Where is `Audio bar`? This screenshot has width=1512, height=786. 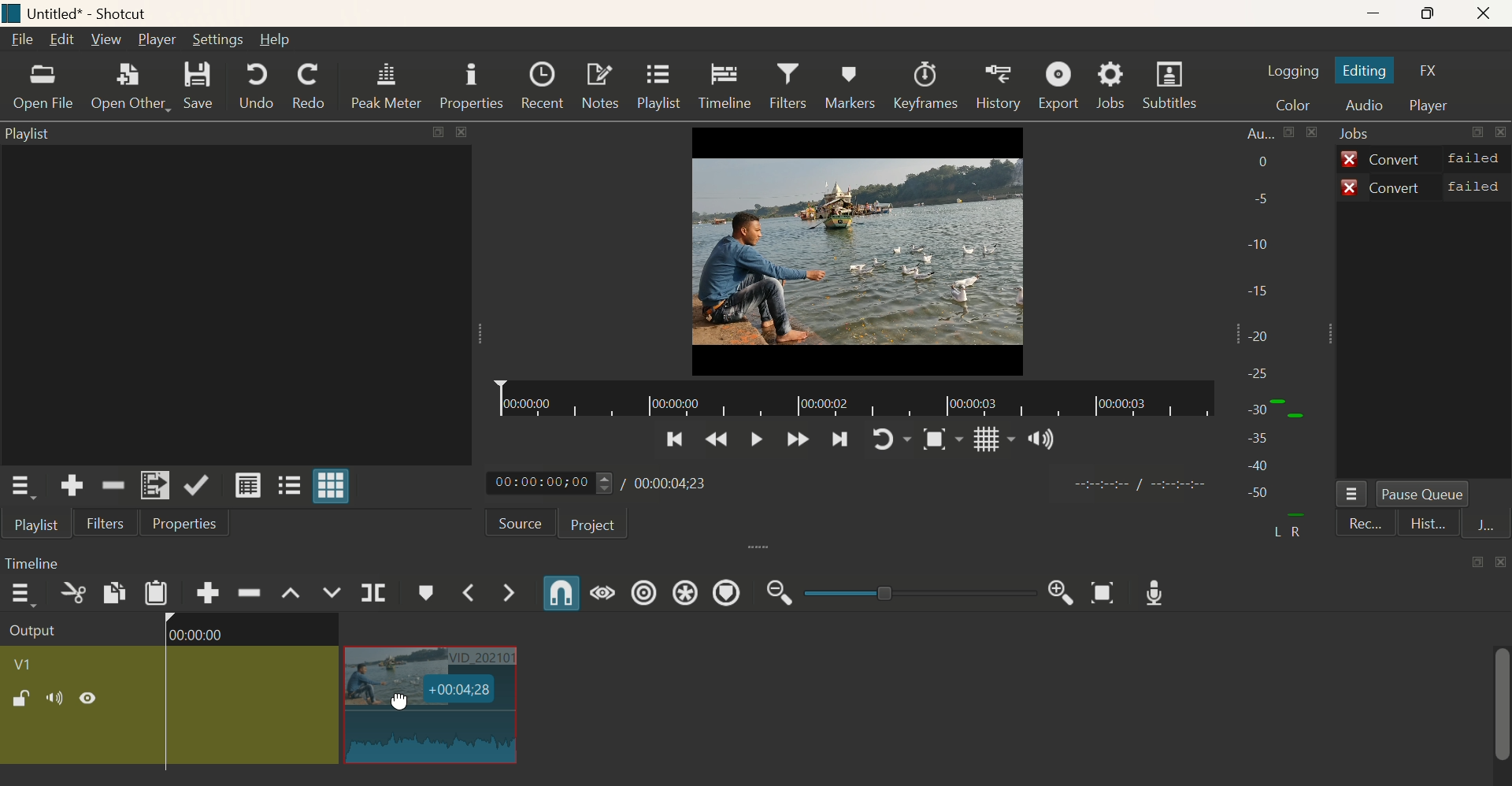 Audio bar is located at coordinates (1277, 335).